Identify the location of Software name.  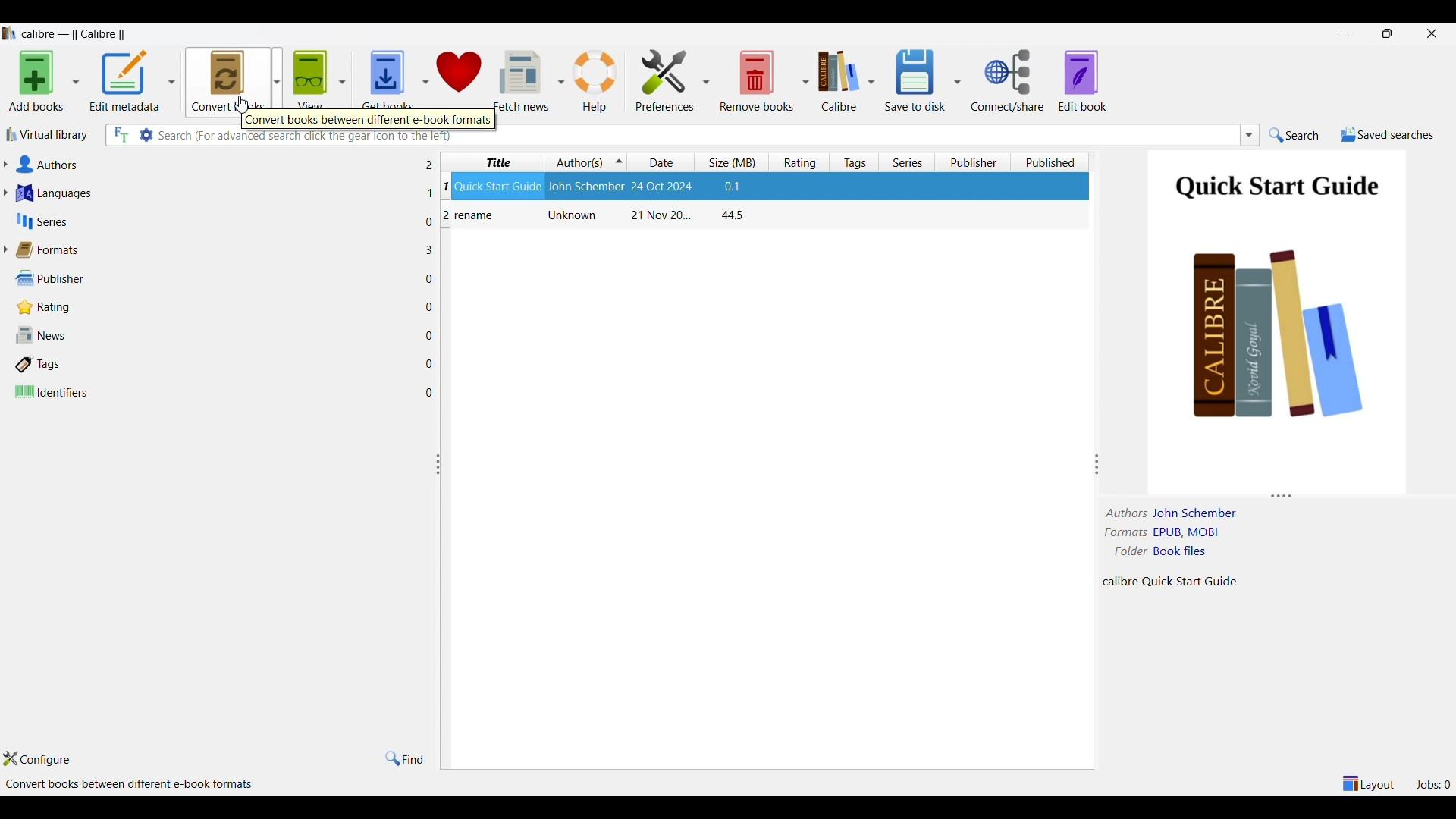
(78, 34).